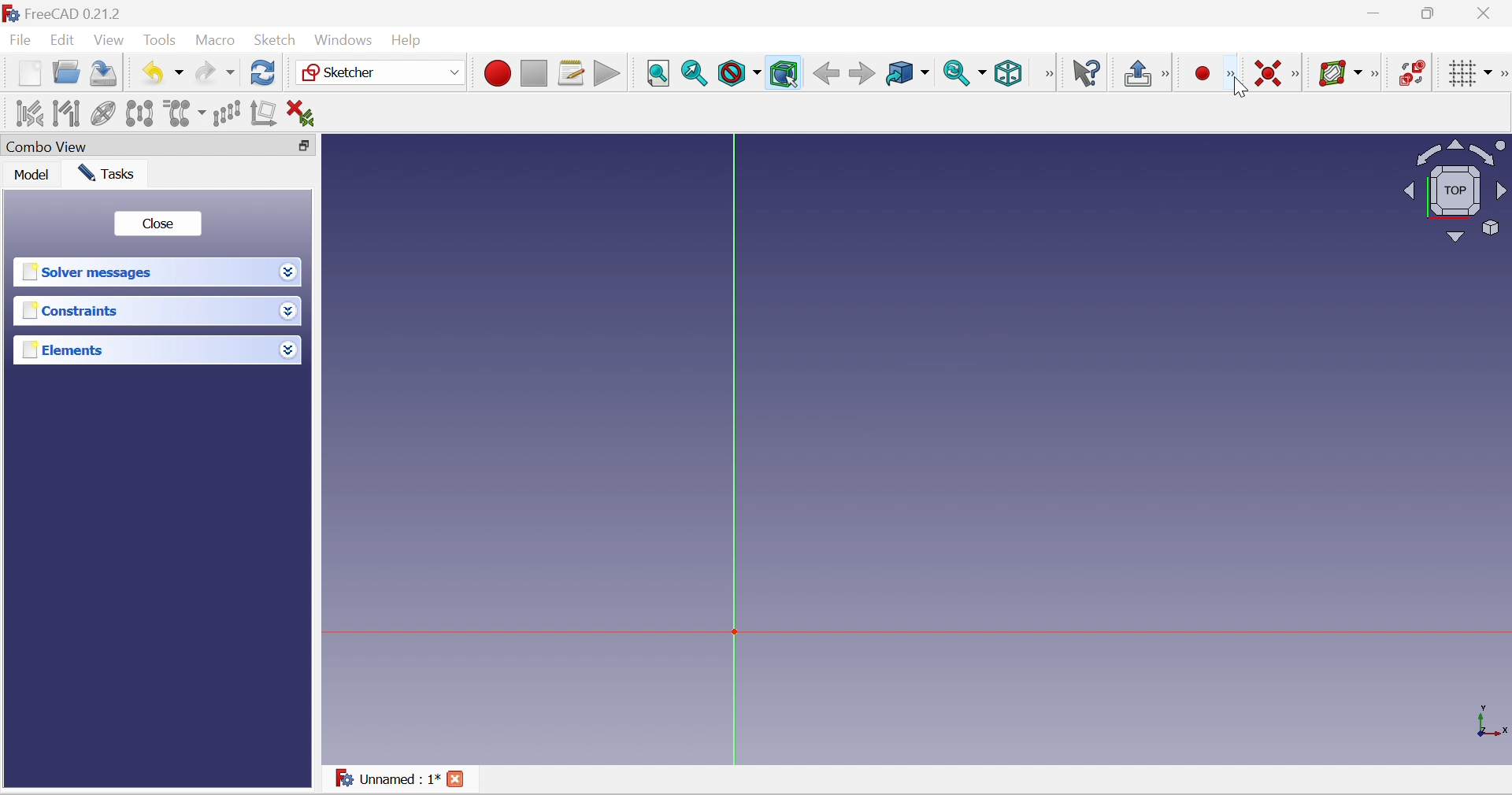 This screenshot has width=1512, height=795. What do you see at coordinates (158, 39) in the screenshot?
I see `Tools` at bounding box center [158, 39].